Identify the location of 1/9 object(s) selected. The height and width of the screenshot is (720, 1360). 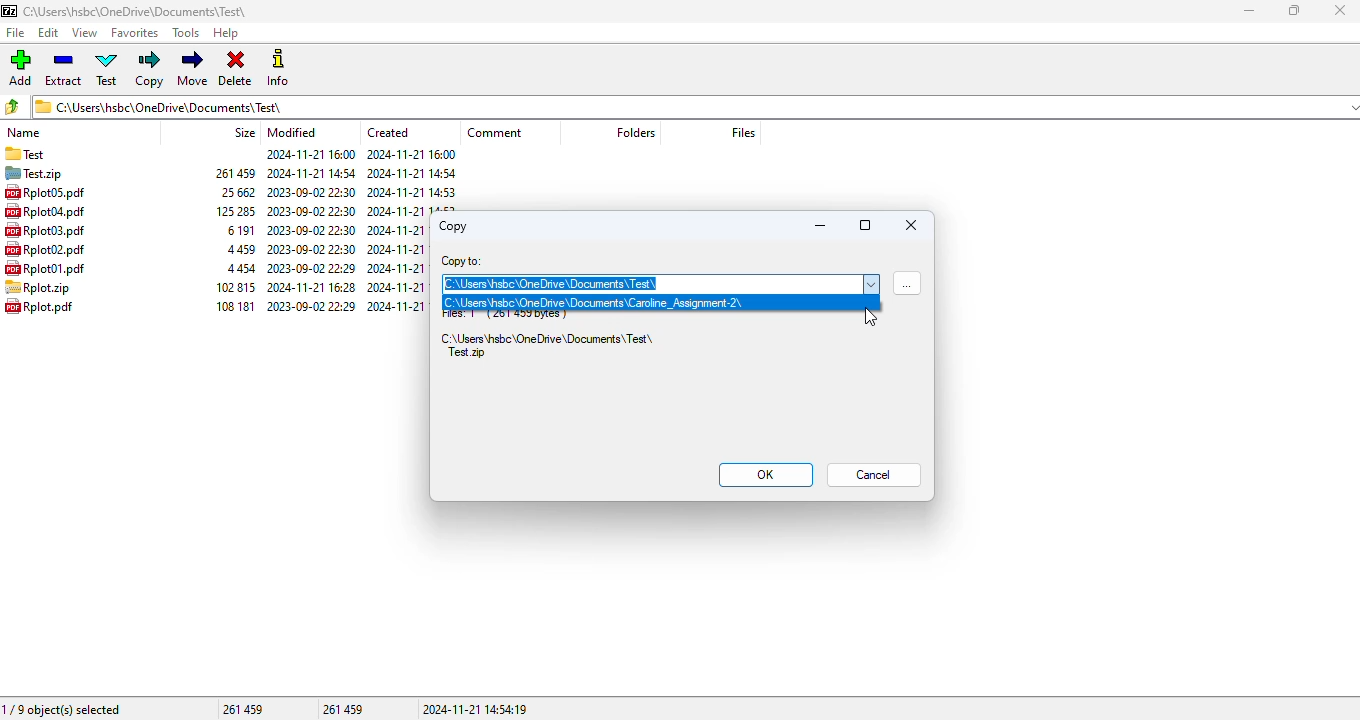
(62, 710).